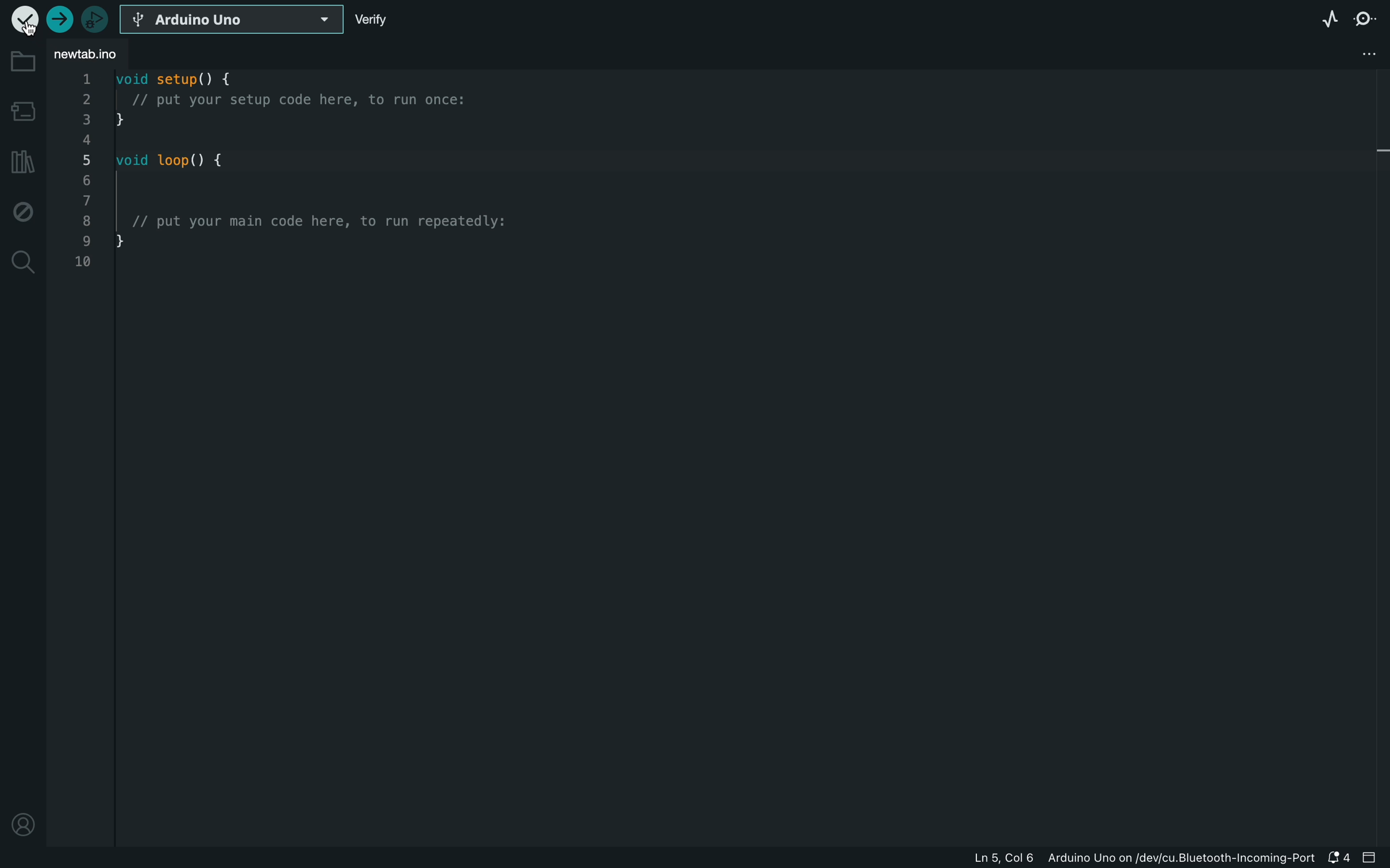 The height and width of the screenshot is (868, 1390). I want to click on file setting, so click(1339, 52).